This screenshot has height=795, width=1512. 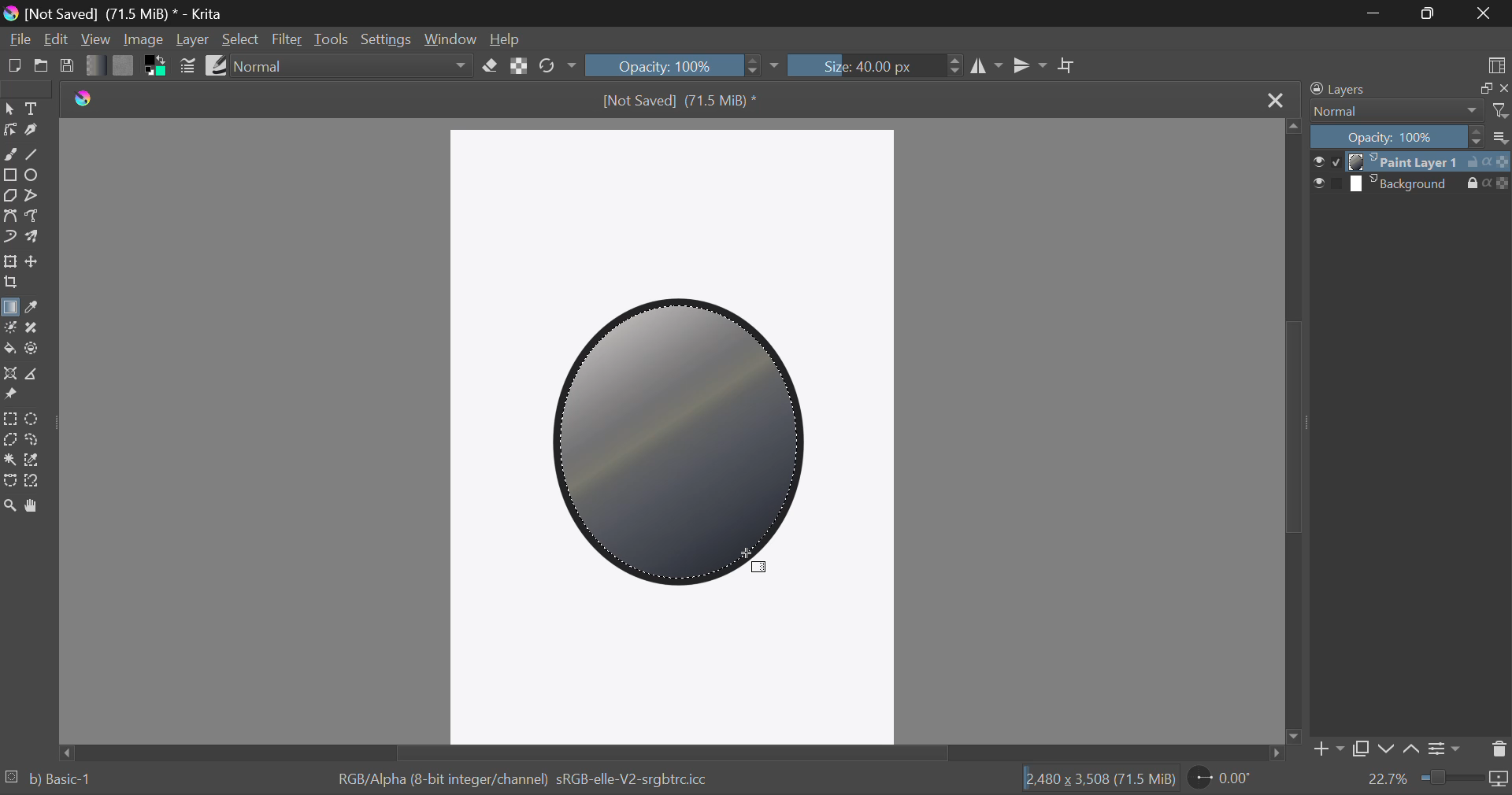 I want to click on Opacity, so click(x=674, y=65).